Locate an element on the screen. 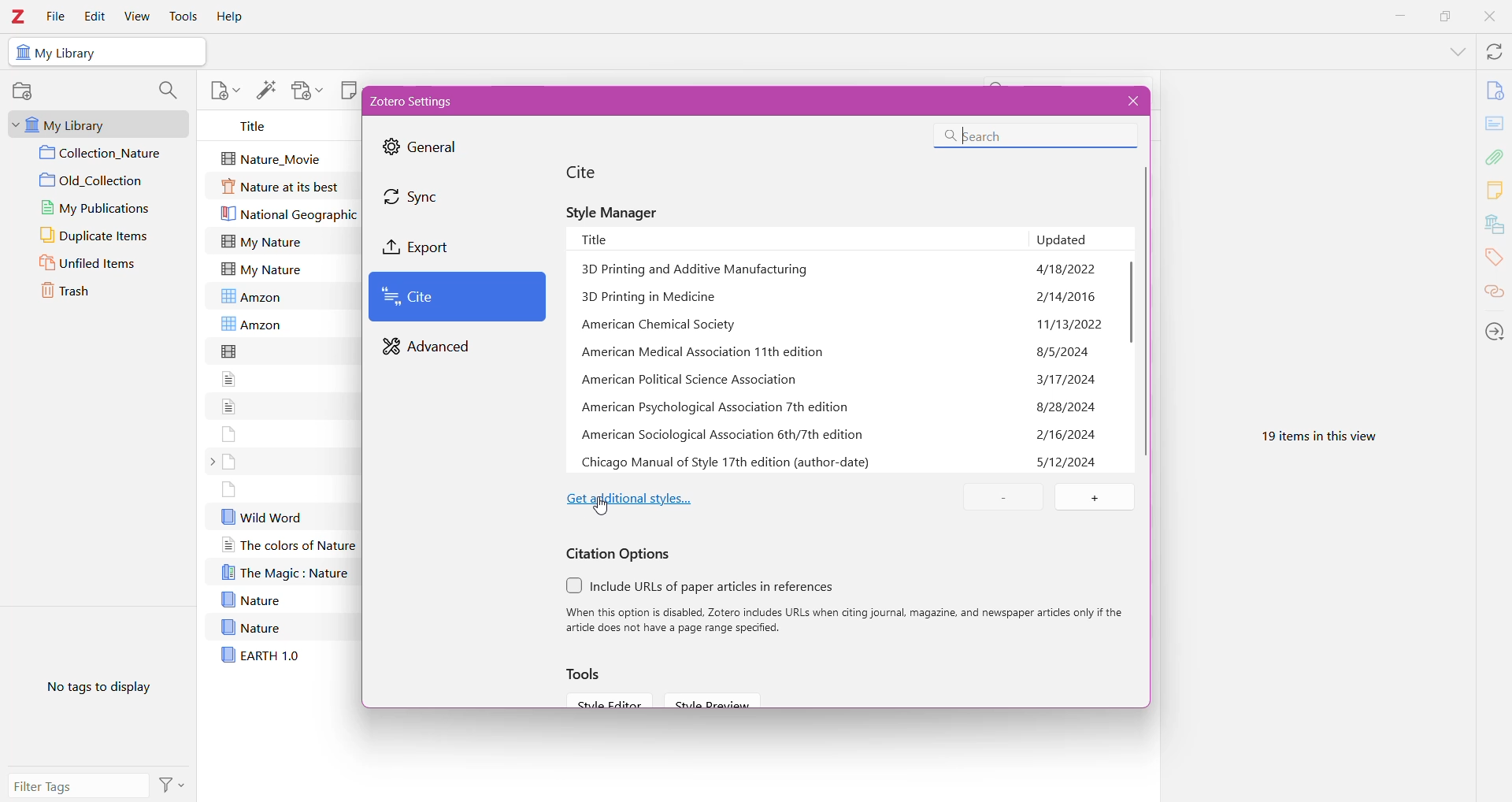  8/5/2024 is located at coordinates (1065, 351).